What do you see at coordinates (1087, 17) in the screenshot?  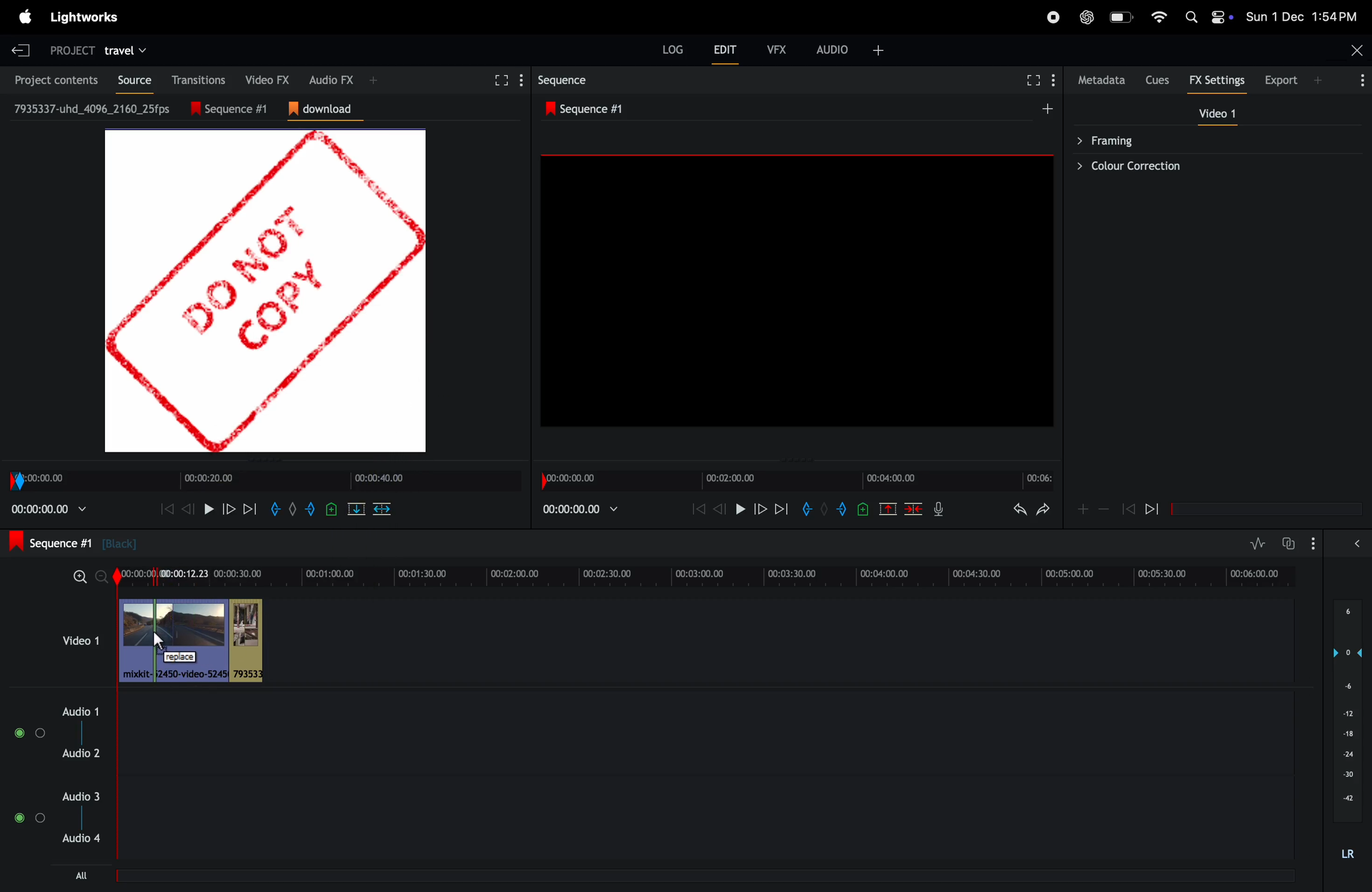 I see `chatgpt` at bounding box center [1087, 17].